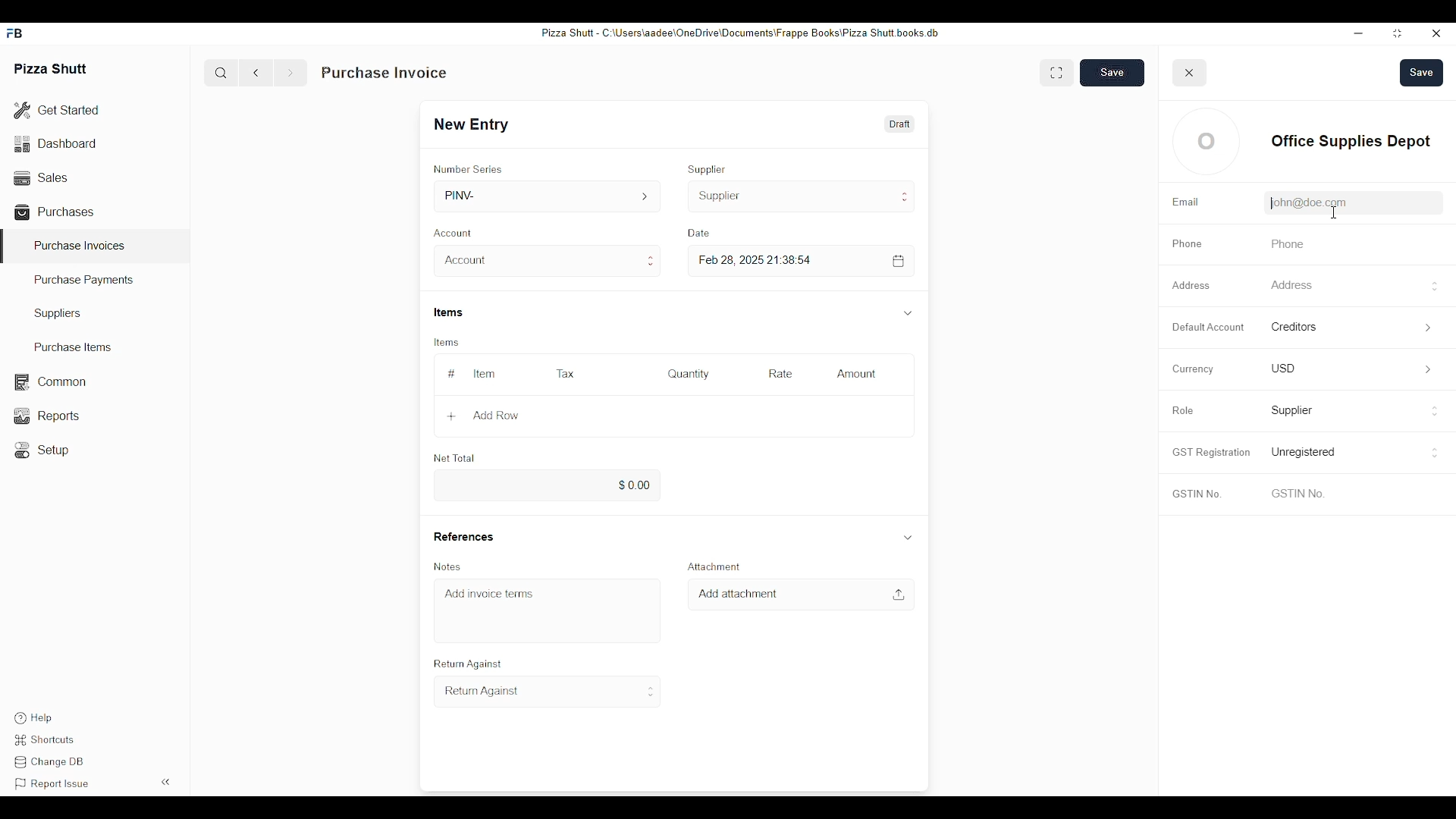 The image size is (1456, 819). Describe the element at coordinates (17, 33) in the screenshot. I see `FB` at that location.